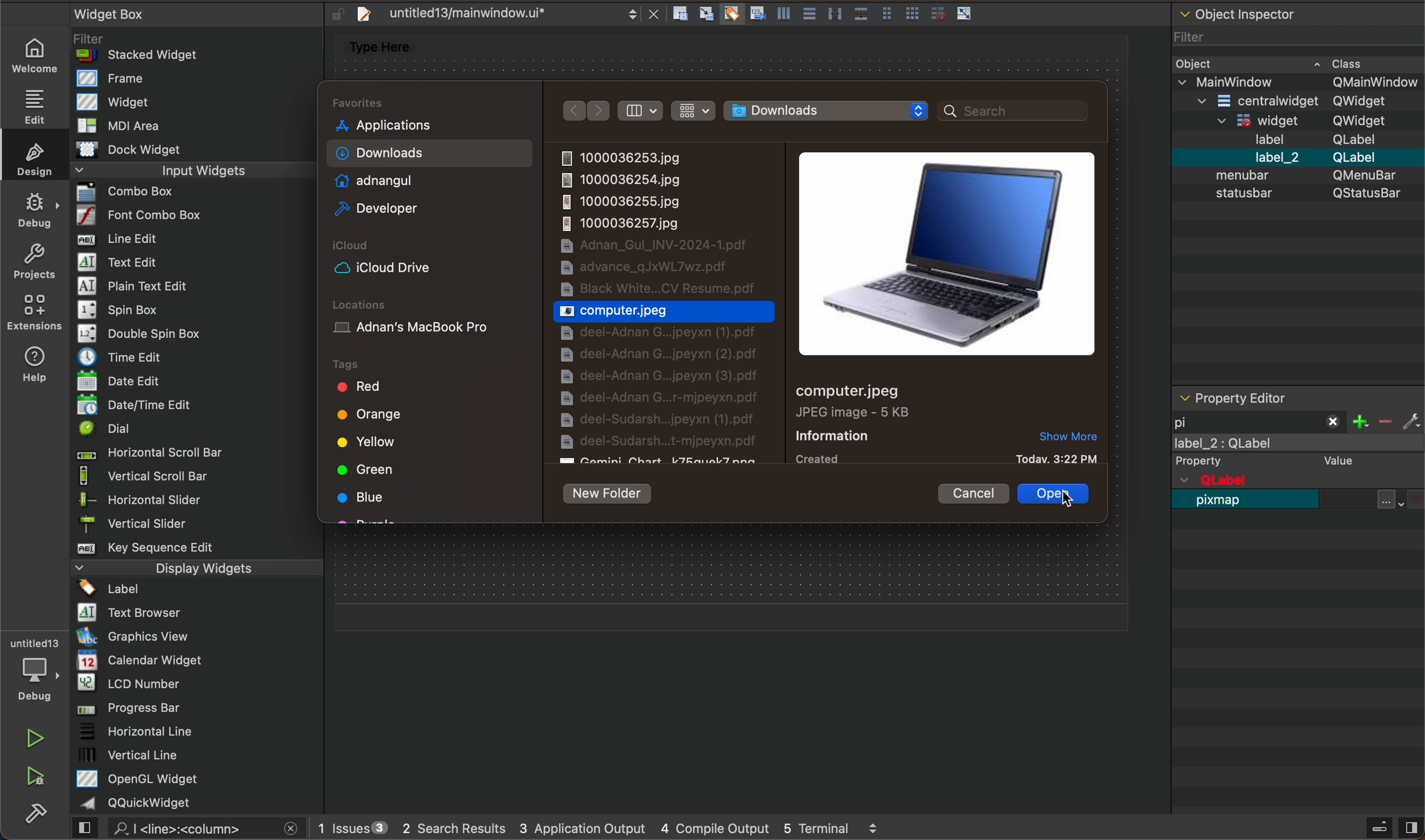 Image resolution: width=1425 pixels, height=840 pixels. I want to click on logs, so click(605, 830).